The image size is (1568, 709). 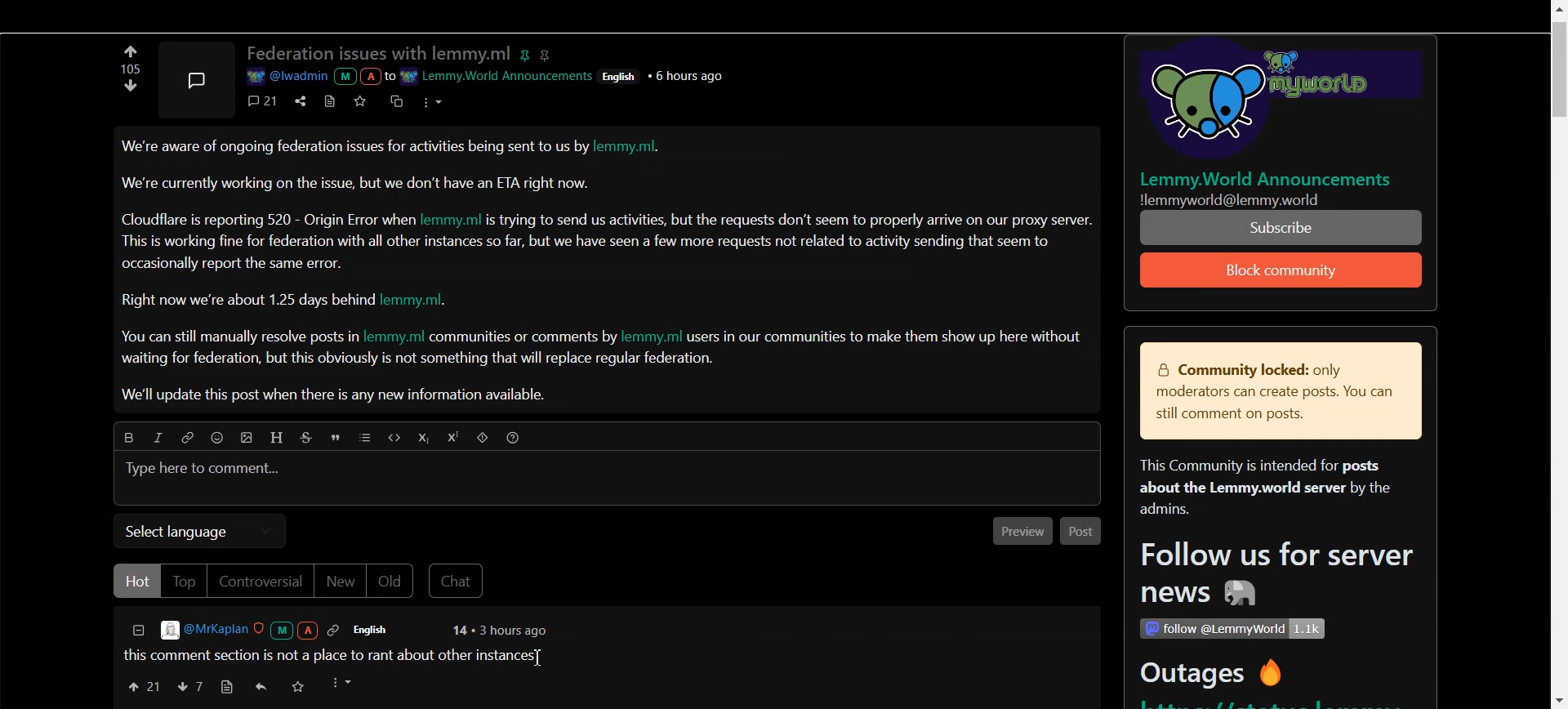 What do you see at coordinates (635, 149) in the screenshot?
I see `lemmy.ml.` at bounding box center [635, 149].